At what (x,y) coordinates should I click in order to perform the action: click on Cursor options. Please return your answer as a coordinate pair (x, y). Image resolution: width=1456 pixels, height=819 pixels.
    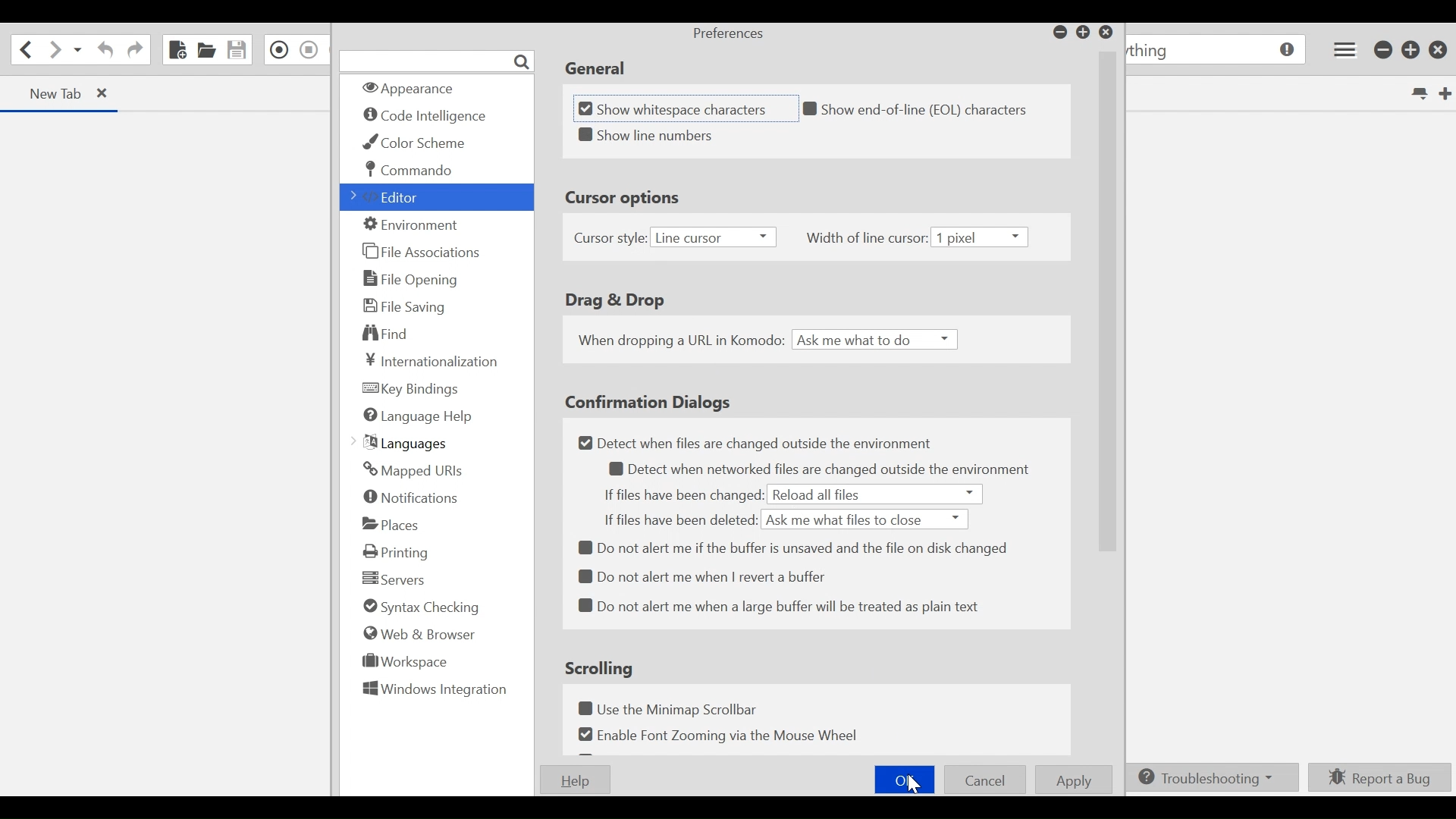
    Looking at the image, I should click on (629, 196).